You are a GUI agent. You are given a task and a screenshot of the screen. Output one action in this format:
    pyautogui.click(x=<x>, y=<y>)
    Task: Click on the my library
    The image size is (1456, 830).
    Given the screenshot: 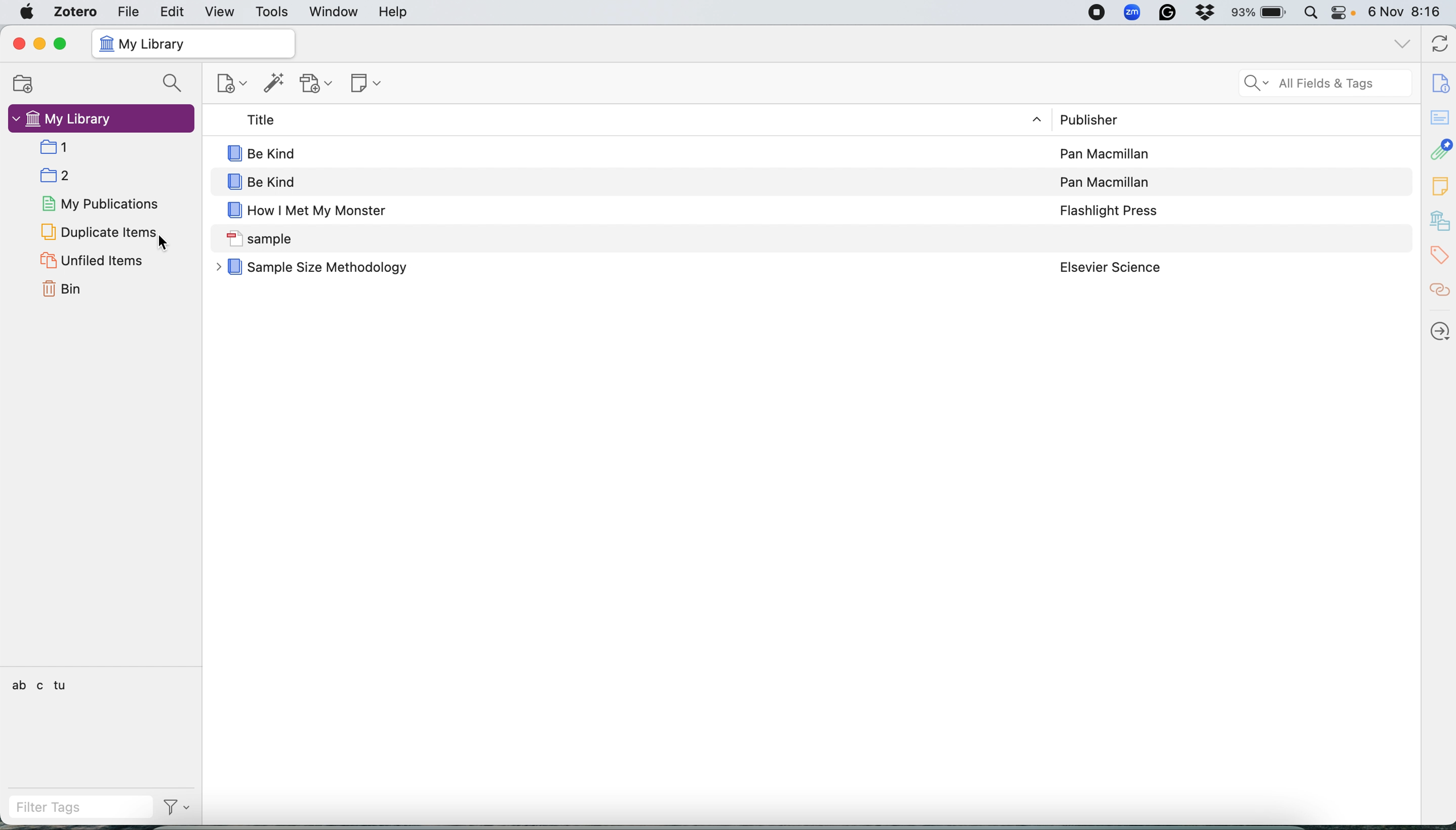 What is the action you would take?
    pyautogui.click(x=193, y=43)
    